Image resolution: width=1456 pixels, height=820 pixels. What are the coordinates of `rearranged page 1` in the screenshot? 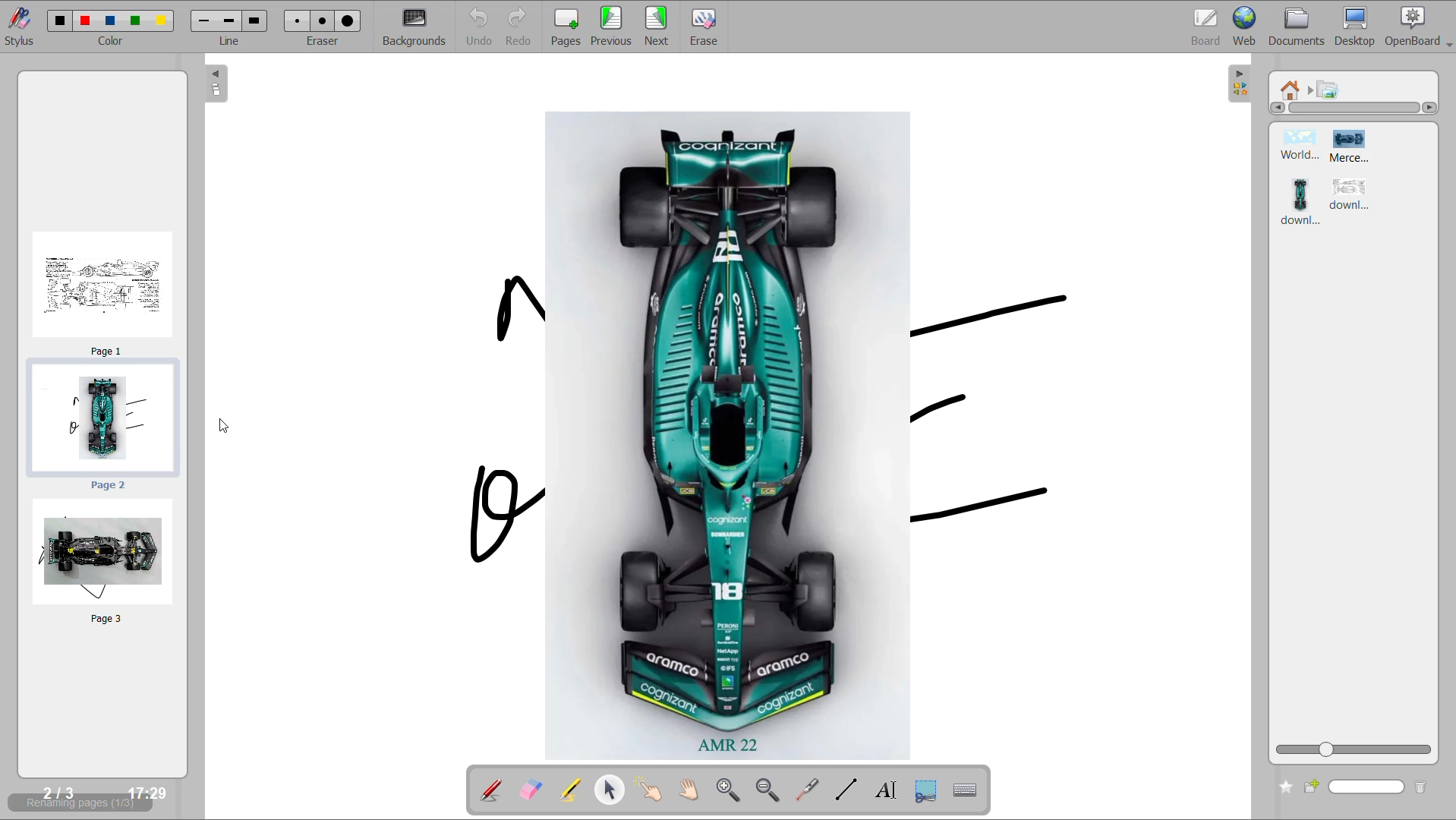 It's located at (106, 289).